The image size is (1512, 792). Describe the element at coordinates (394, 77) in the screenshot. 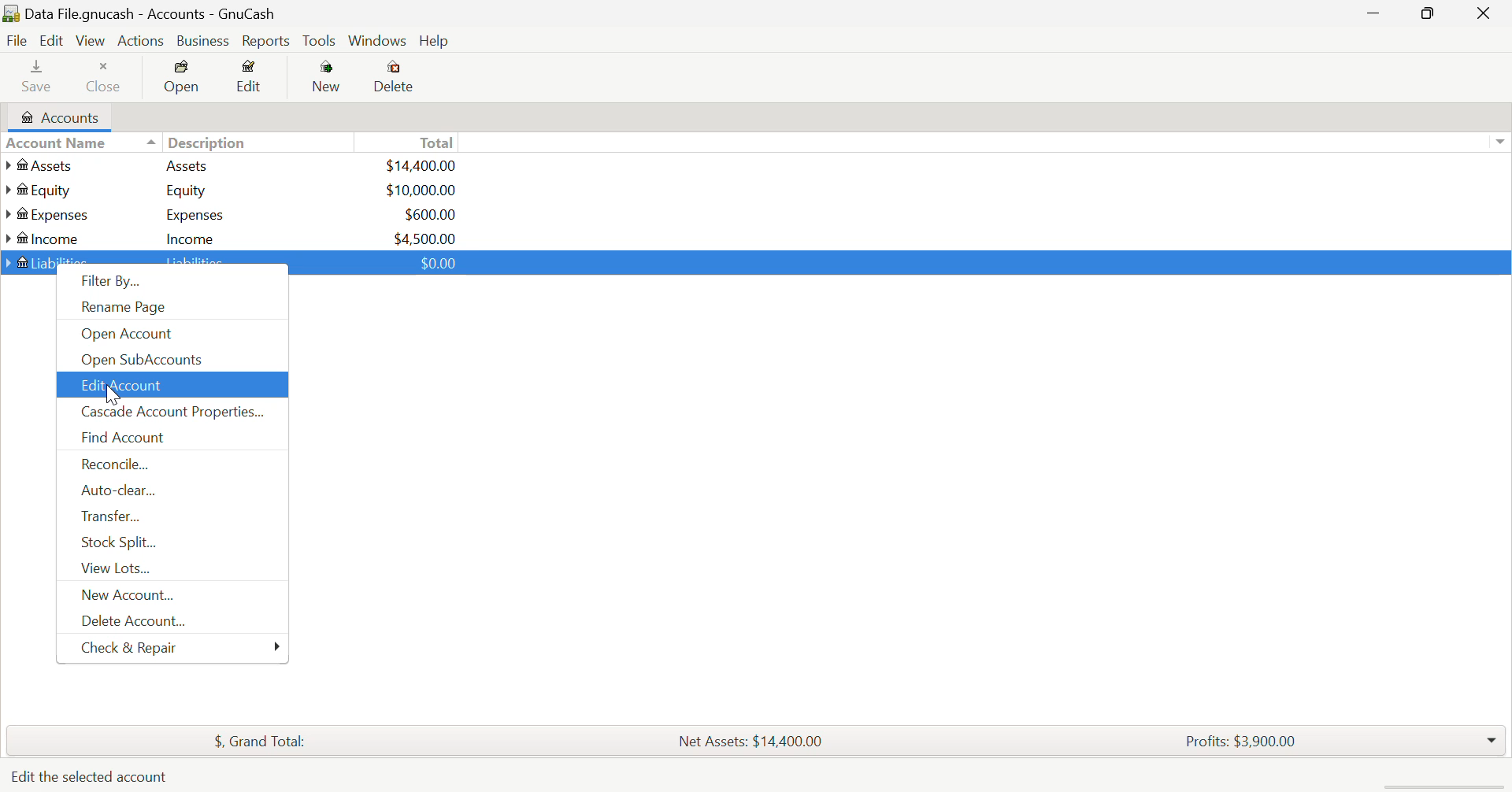

I see `Delete` at that location.